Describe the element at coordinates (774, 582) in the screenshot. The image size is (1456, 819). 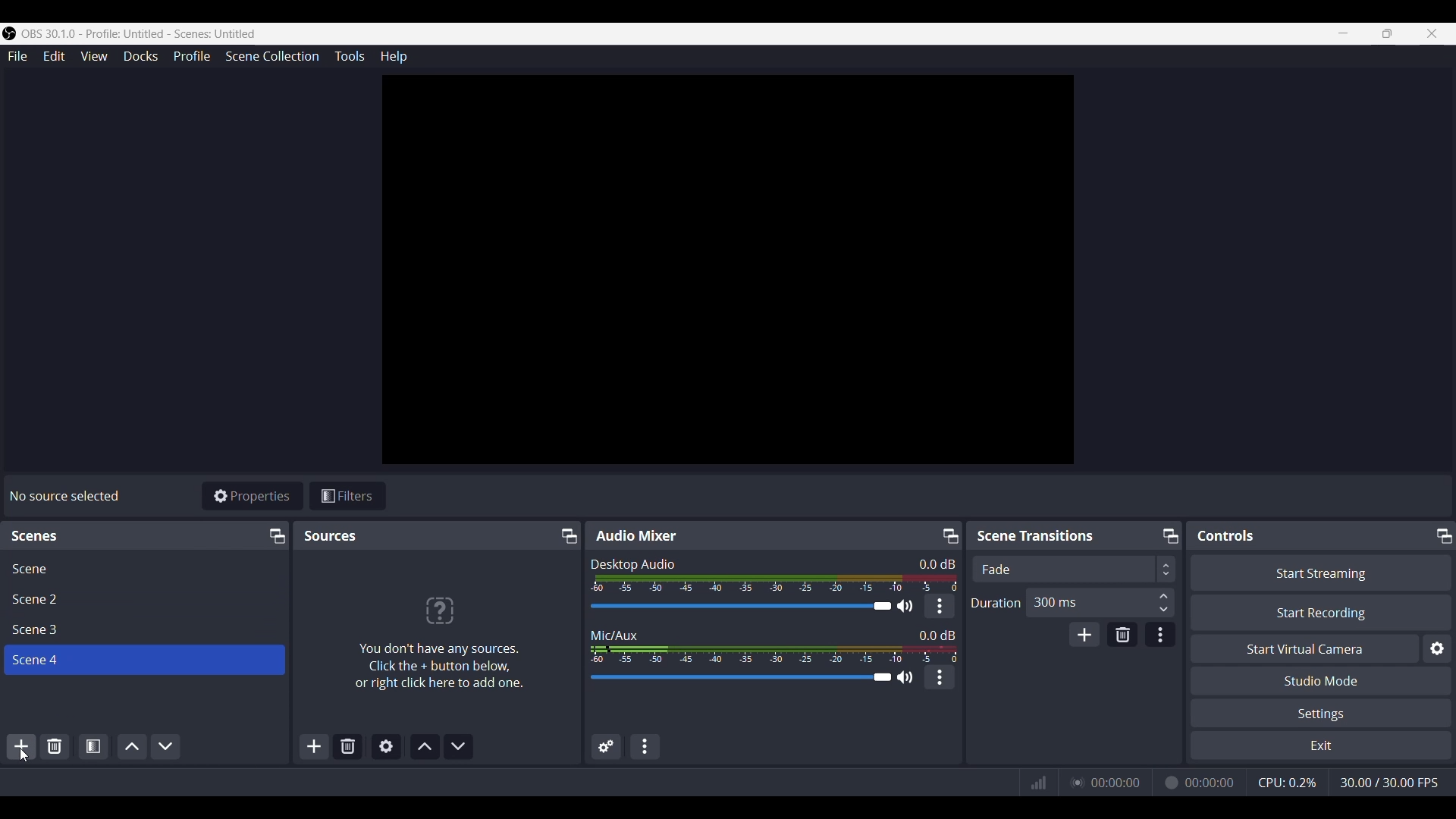
I see `Volume Indicator` at that location.